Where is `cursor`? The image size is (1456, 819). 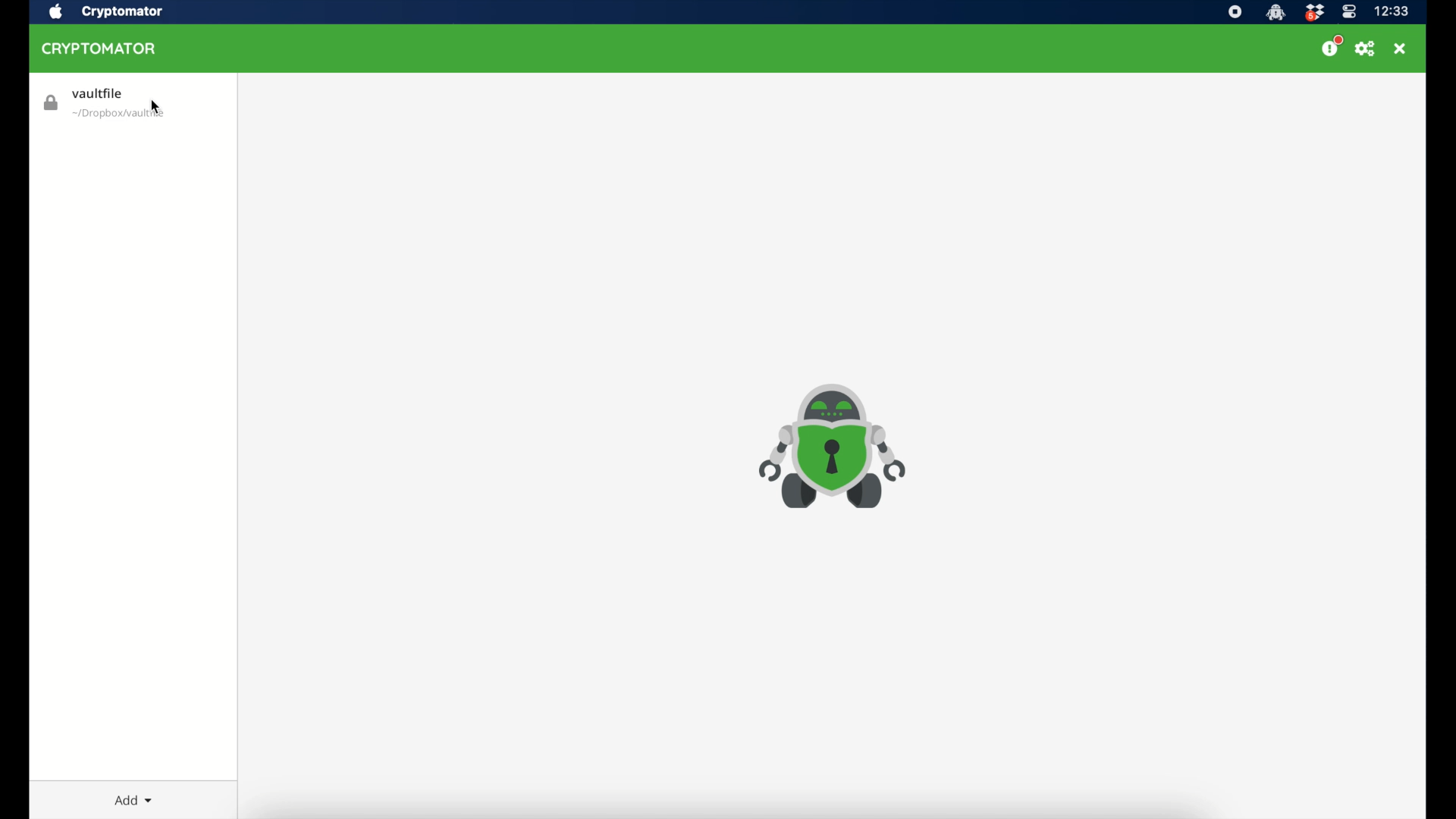
cursor is located at coordinates (155, 107).